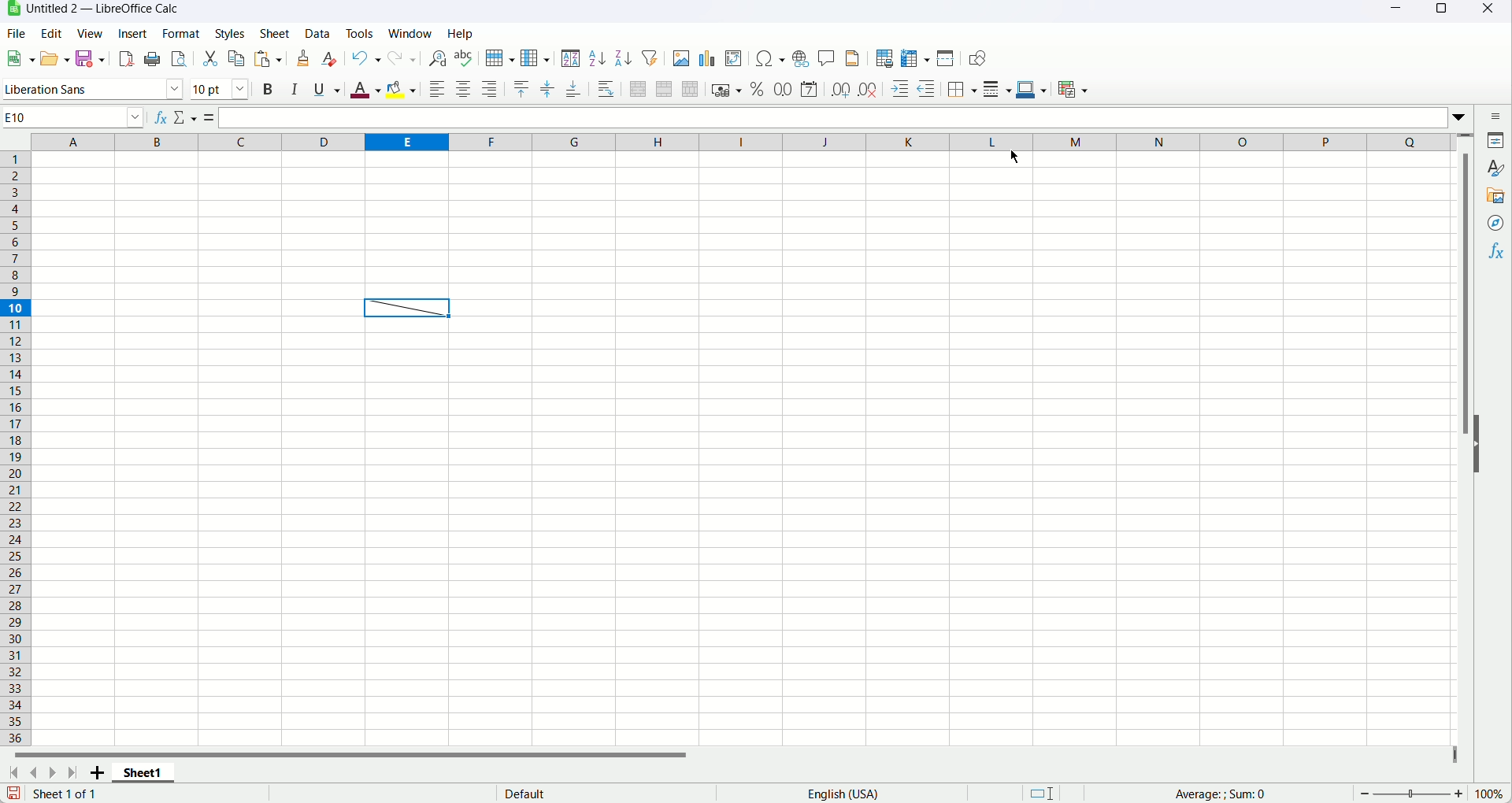 The height and width of the screenshot is (803, 1512). I want to click on Name box, so click(75, 117).